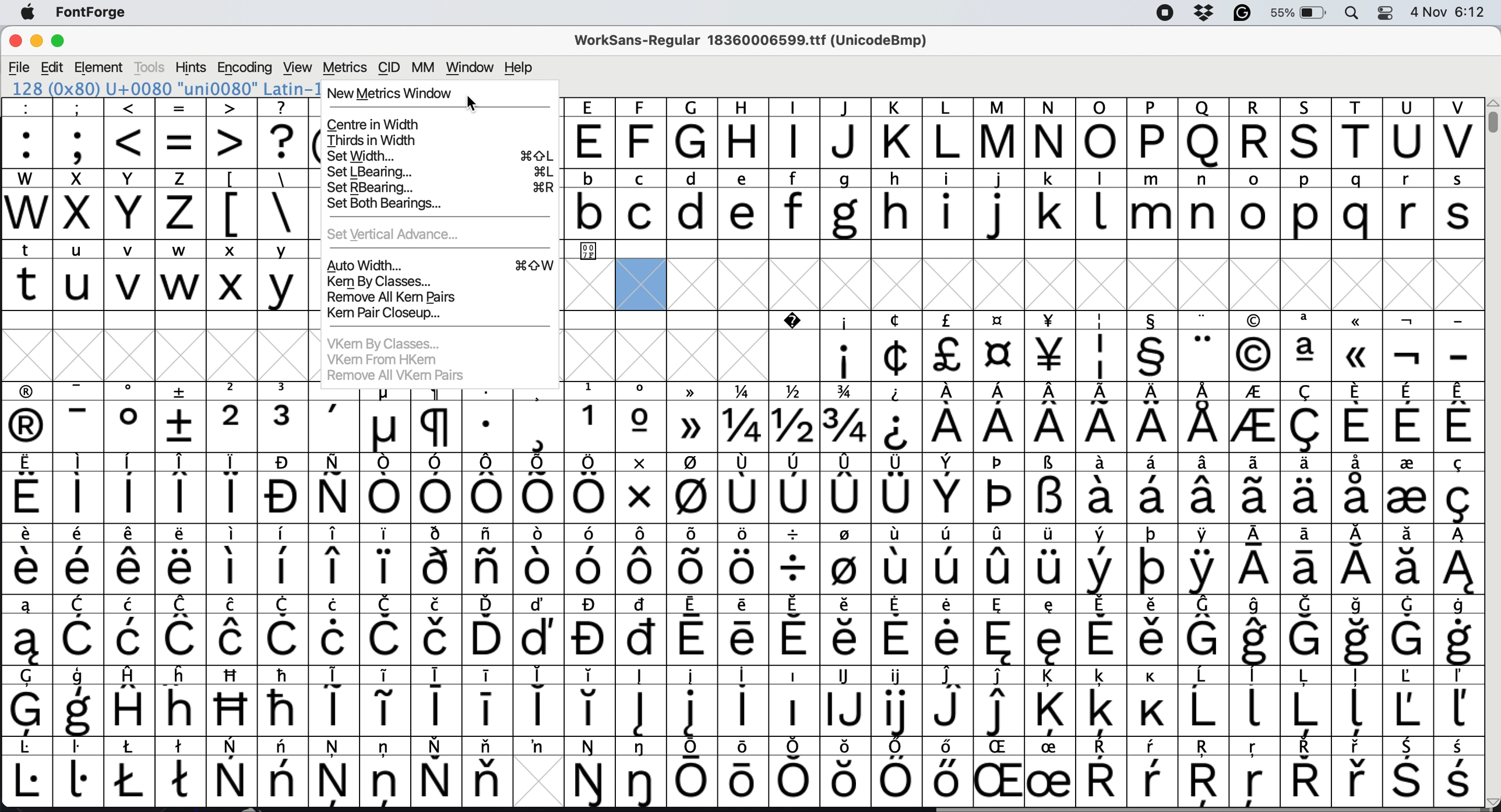  What do you see at coordinates (390, 296) in the screenshot?
I see `remove all kern pairs` at bounding box center [390, 296].